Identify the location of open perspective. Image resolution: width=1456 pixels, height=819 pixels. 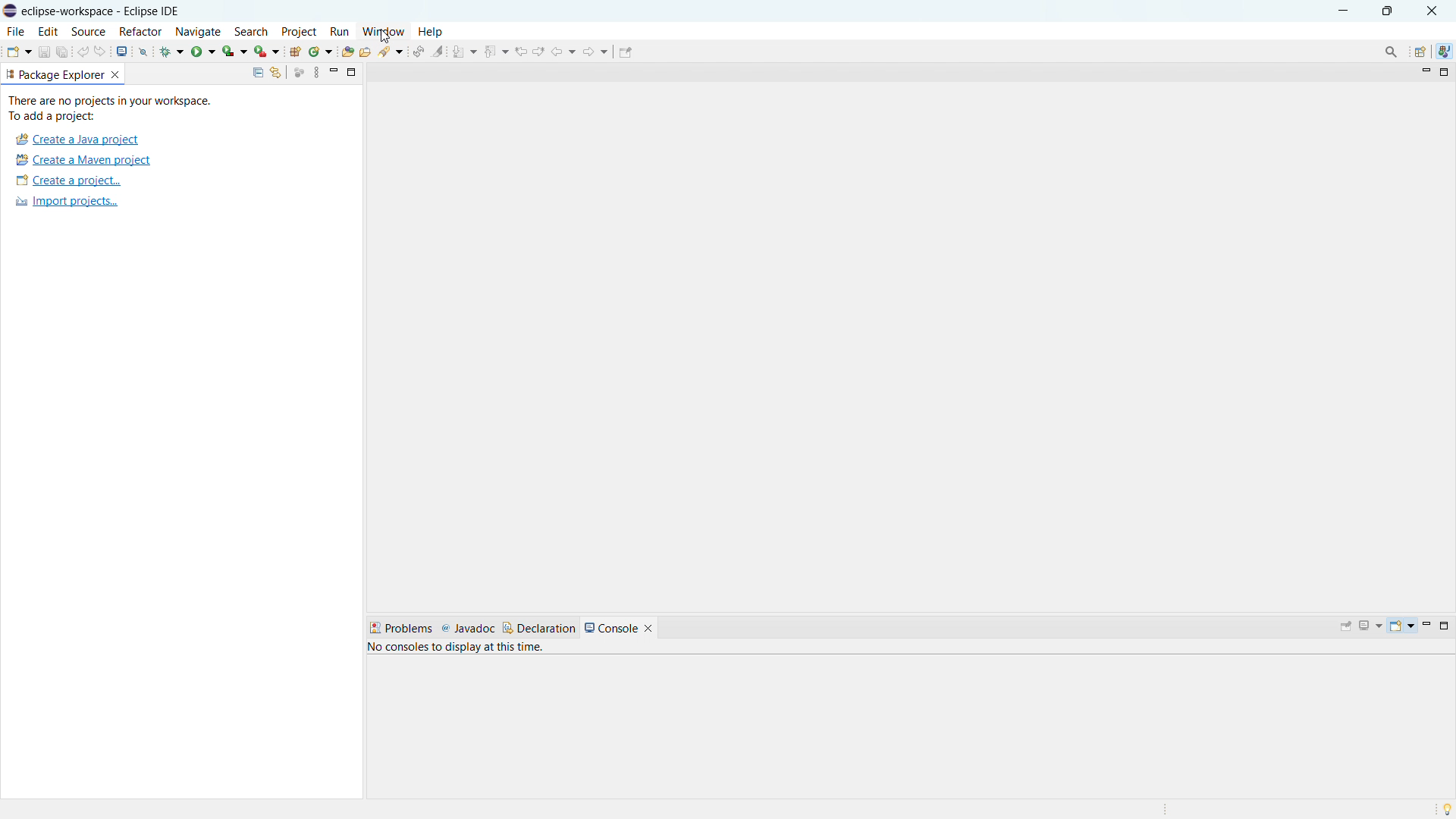
(1419, 52).